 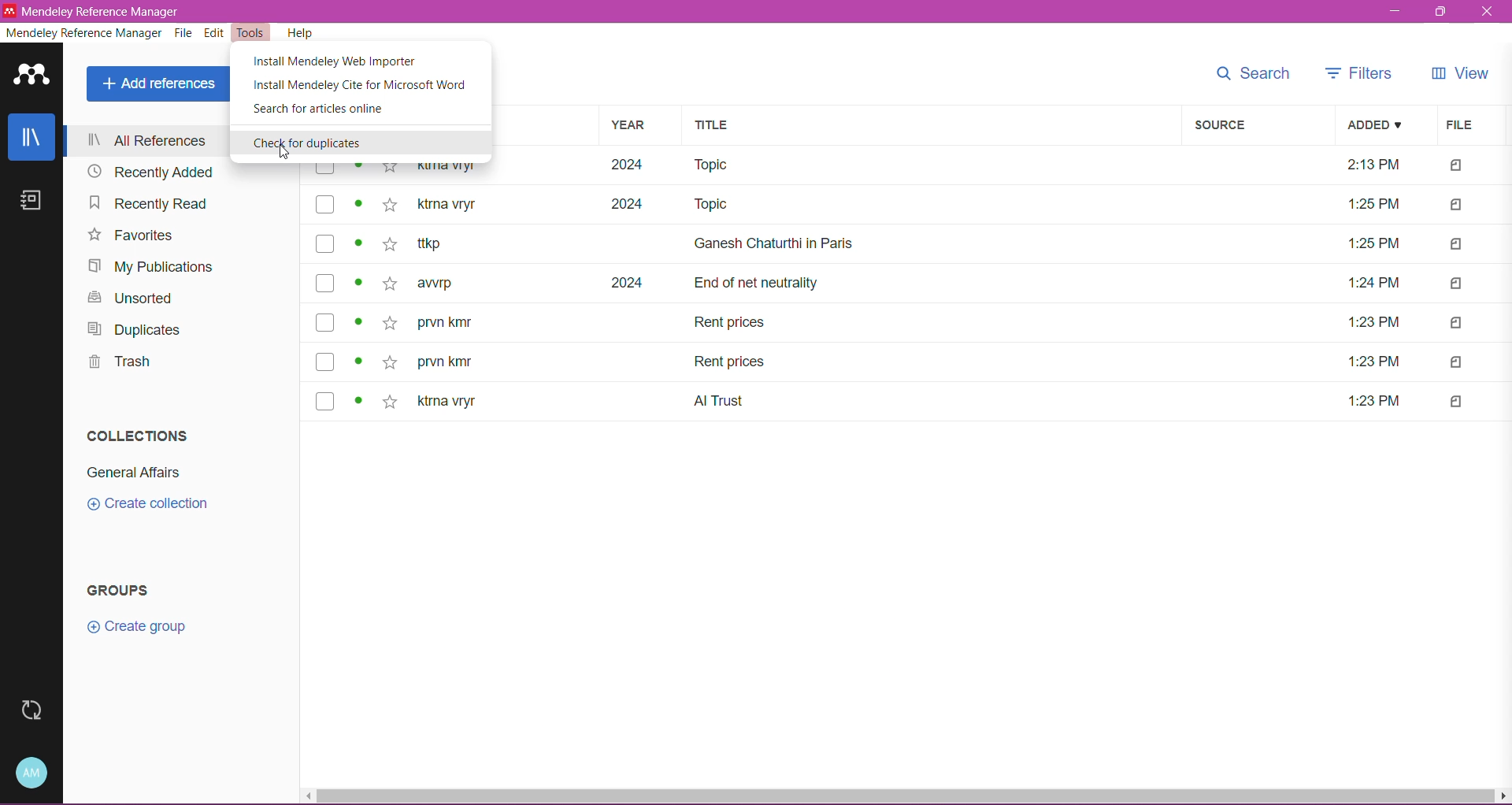 I want to click on View, so click(x=1462, y=76).